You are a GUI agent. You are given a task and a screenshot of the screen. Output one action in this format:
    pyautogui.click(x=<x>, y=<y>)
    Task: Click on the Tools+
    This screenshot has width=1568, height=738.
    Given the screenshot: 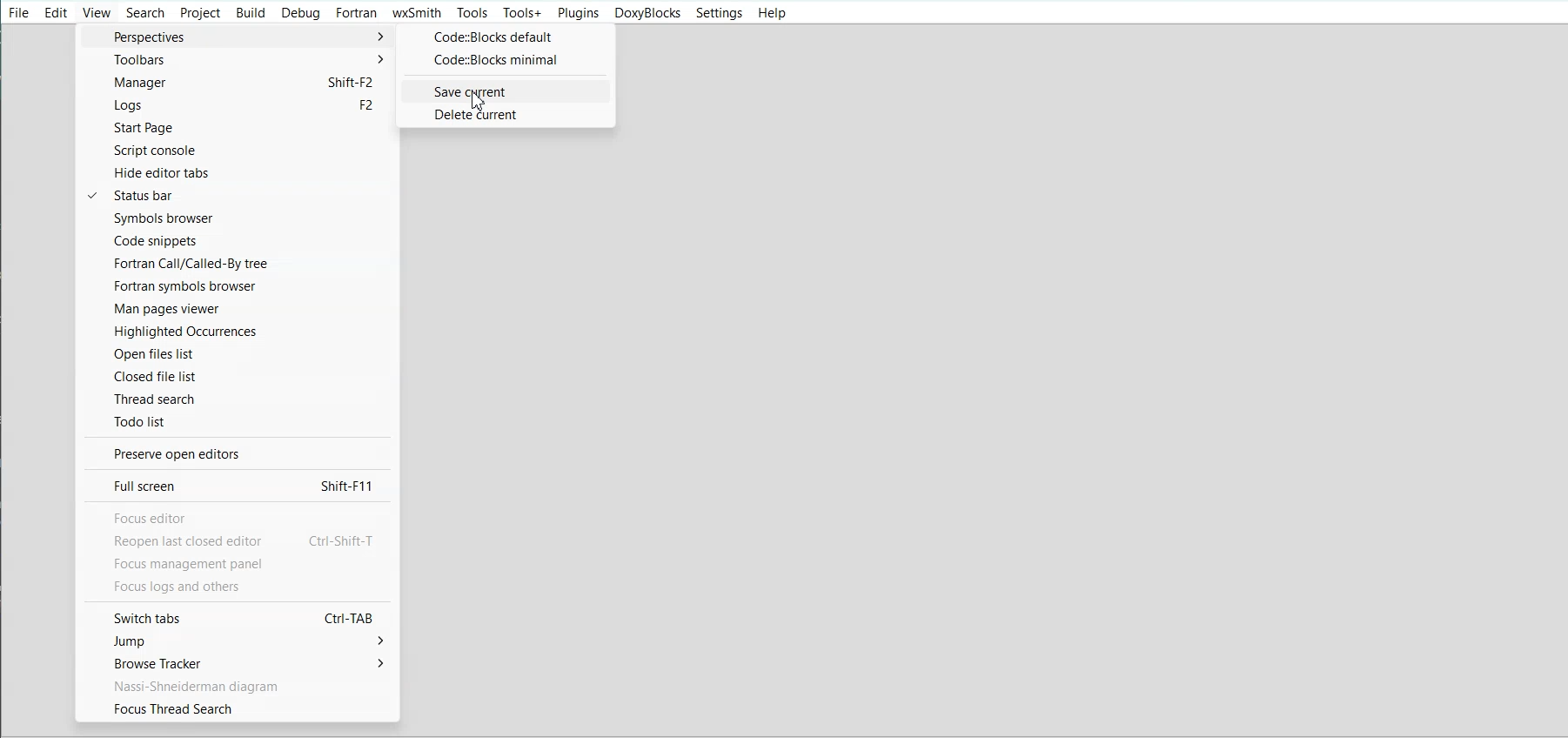 What is the action you would take?
    pyautogui.click(x=522, y=13)
    